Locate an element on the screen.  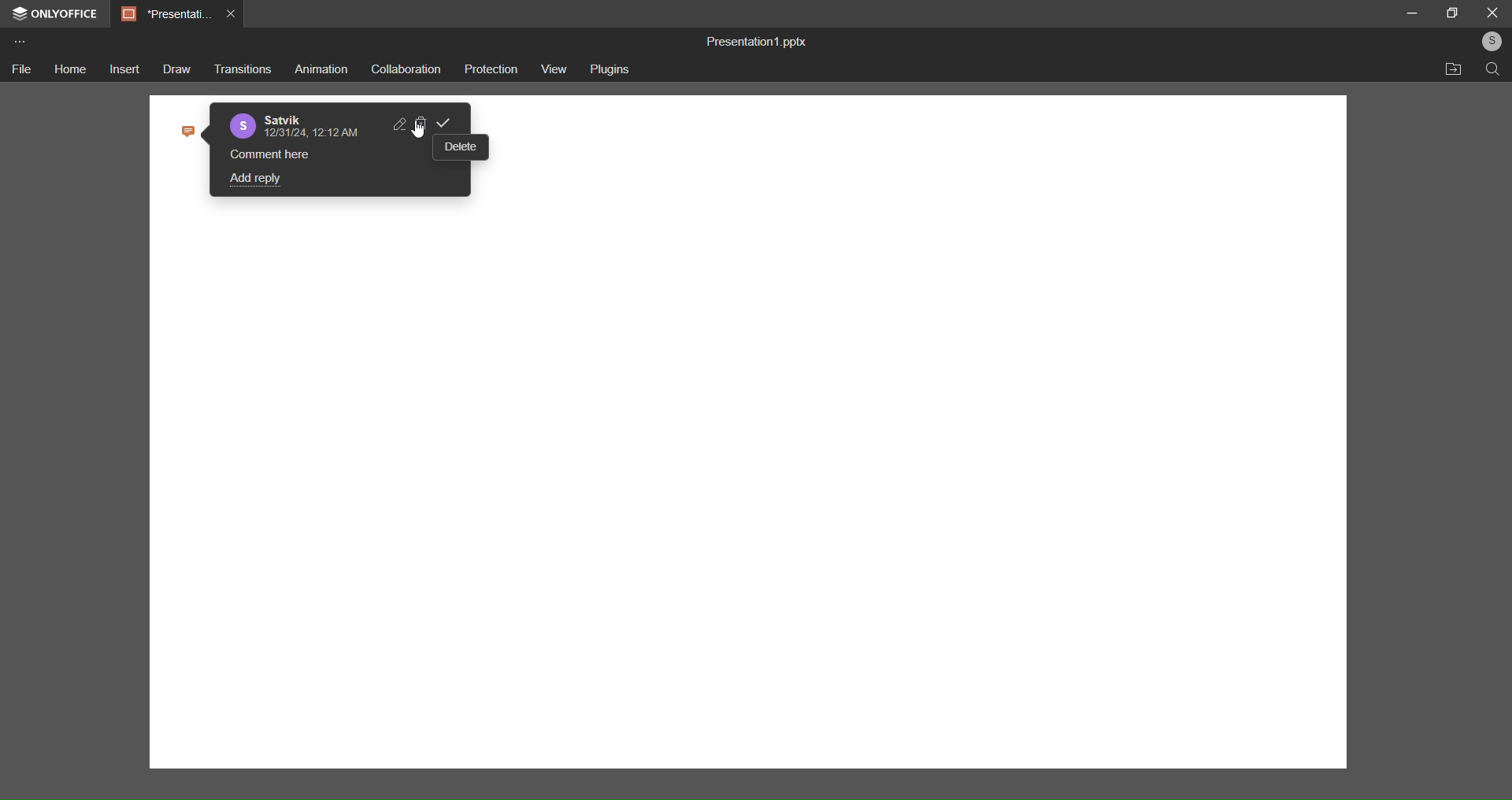
add reply is located at coordinates (253, 179).